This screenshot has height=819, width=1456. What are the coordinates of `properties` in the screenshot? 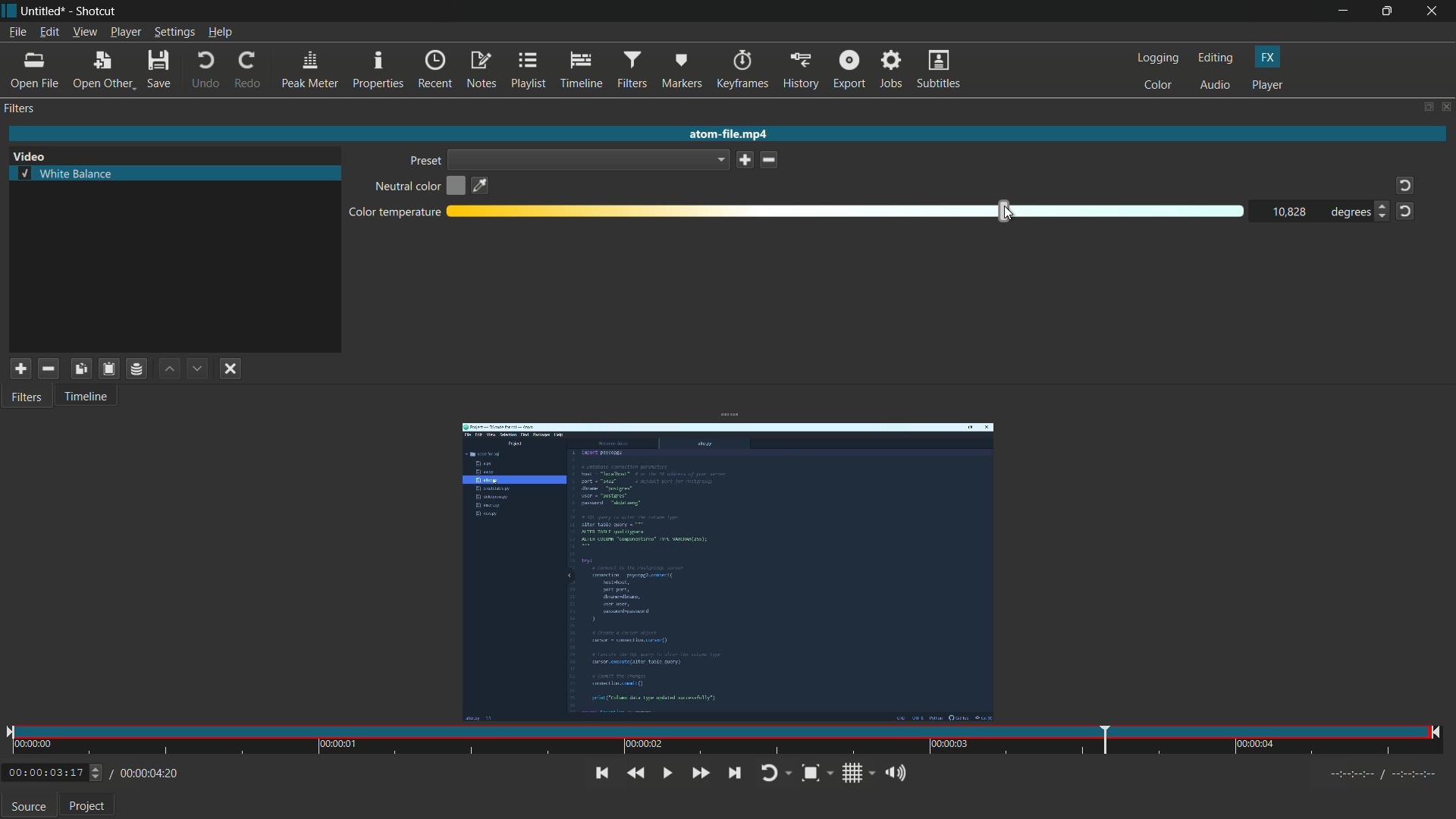 It's located at (379, 71).